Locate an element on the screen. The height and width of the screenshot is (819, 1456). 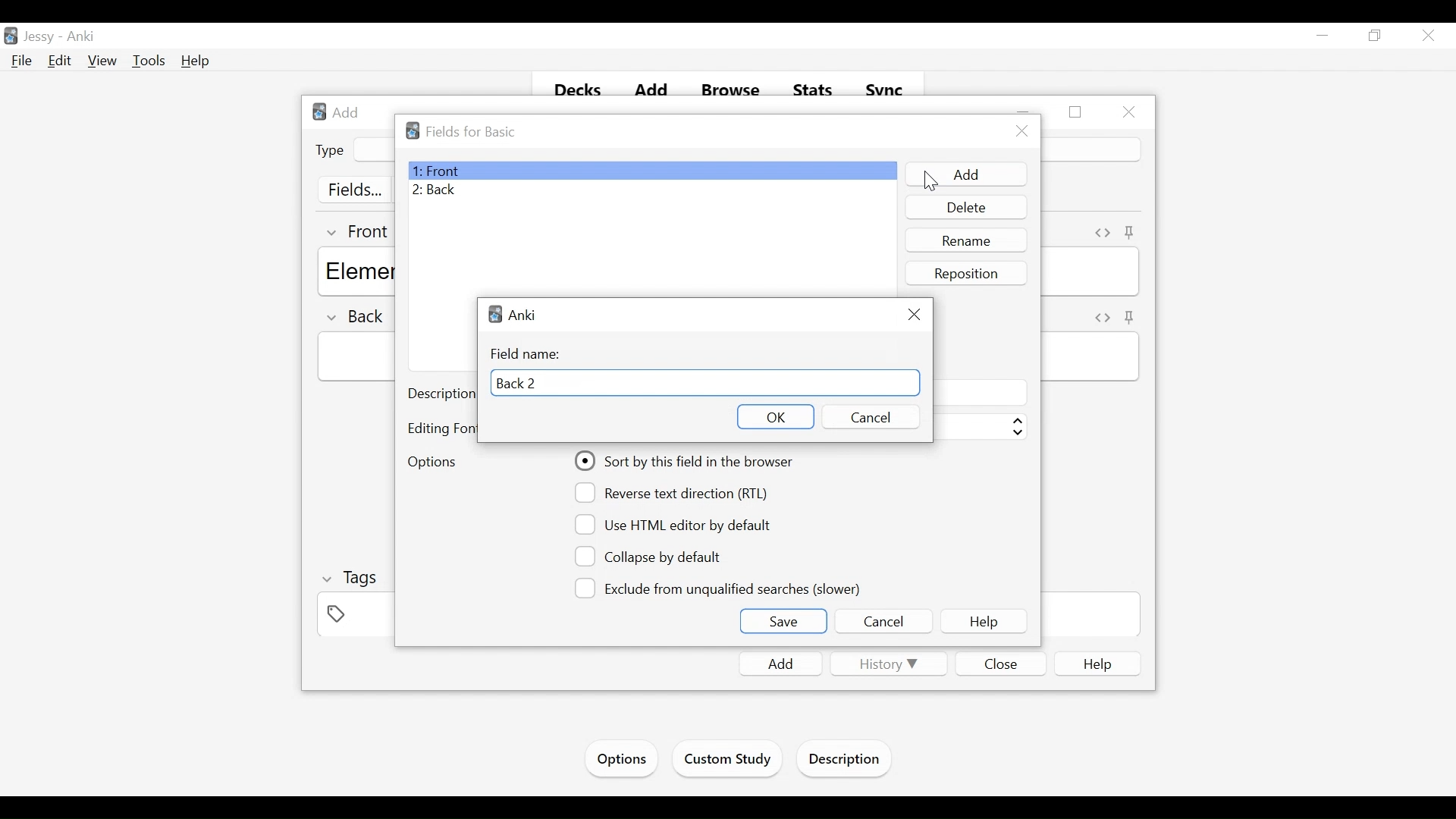
 is located at coordinates (965, 174).